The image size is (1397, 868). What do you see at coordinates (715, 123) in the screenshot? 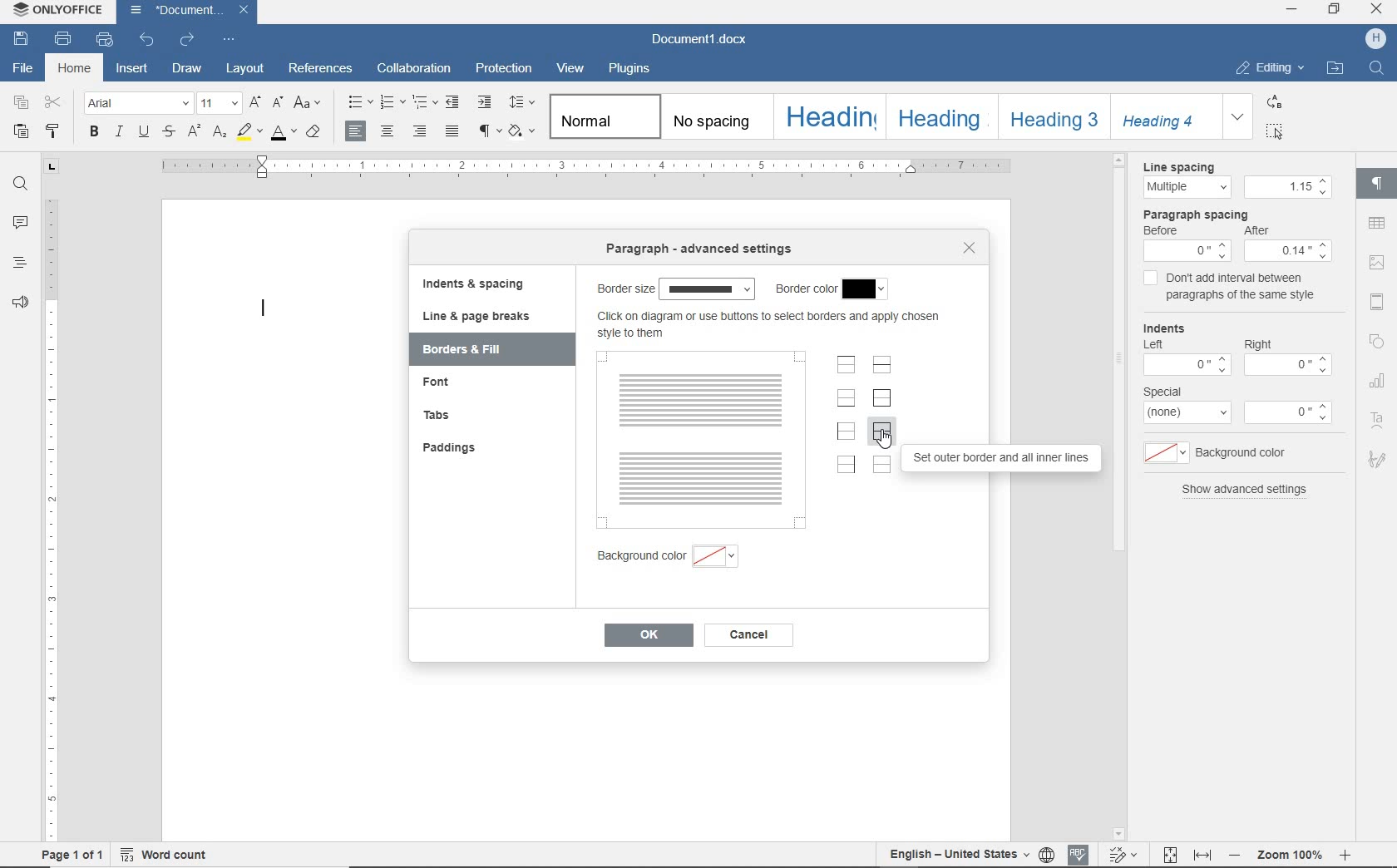
I see `no spacing` at bounding box center [715, 123].